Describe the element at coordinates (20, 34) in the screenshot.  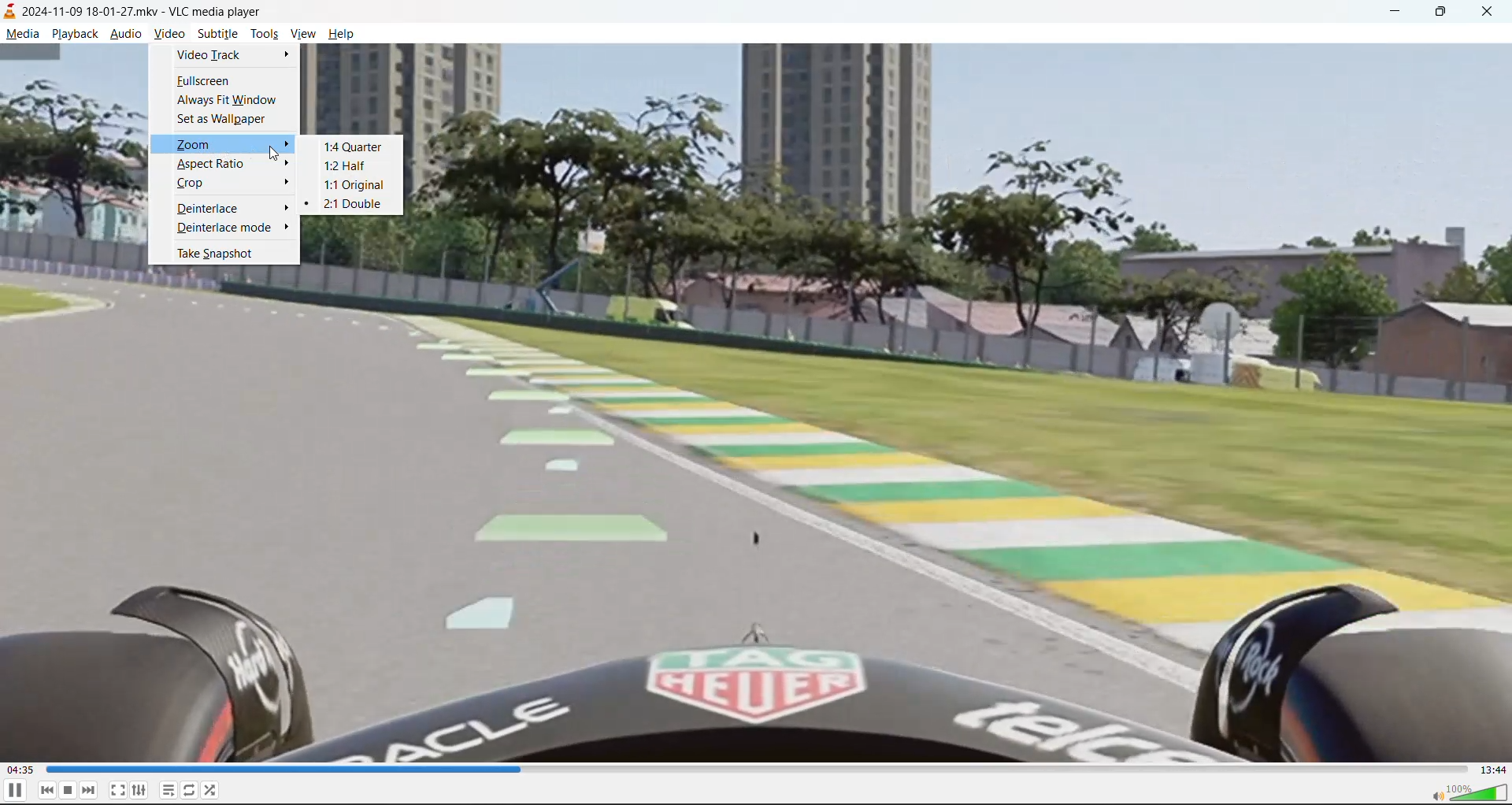
I see `media` at that location.